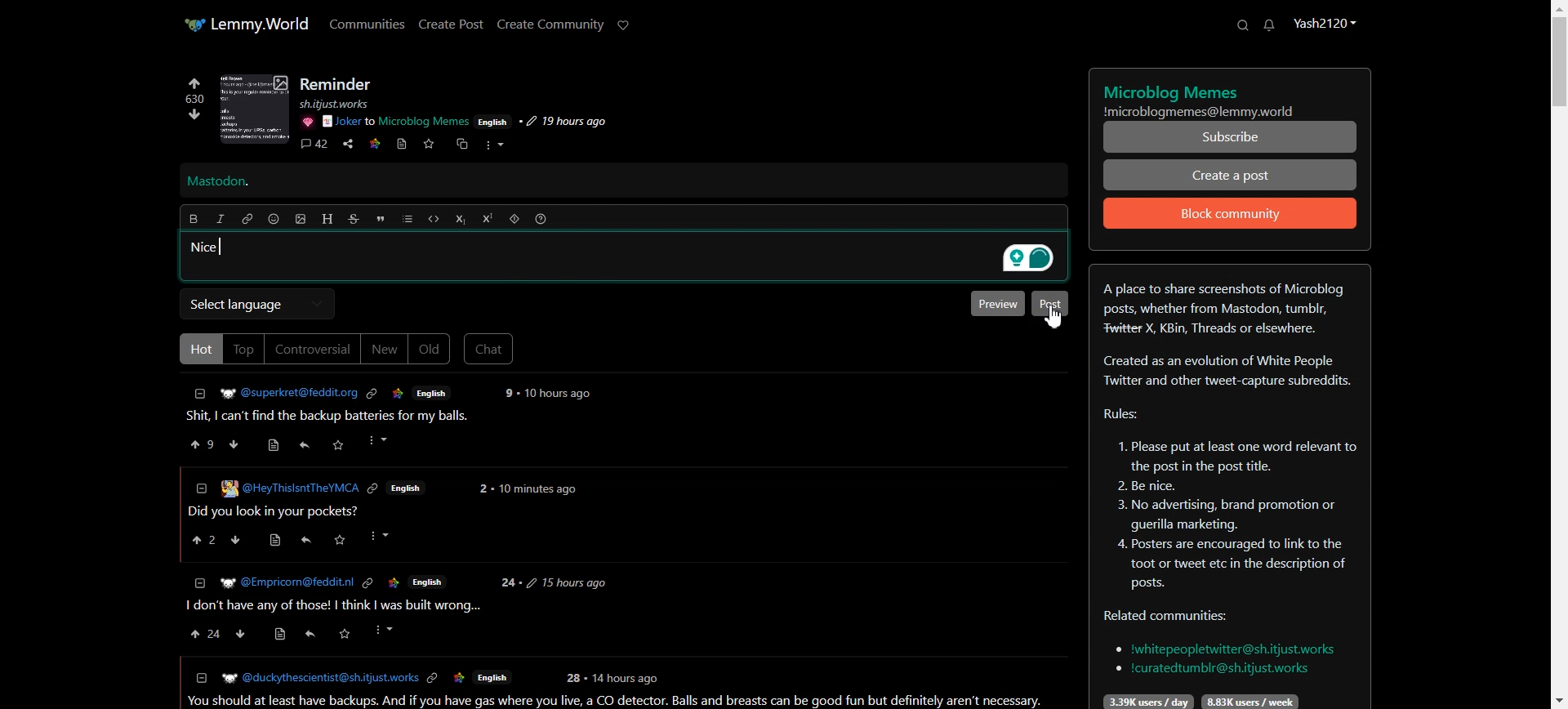 The image size is (1568, 709). I want to click on , so click(399, 394).